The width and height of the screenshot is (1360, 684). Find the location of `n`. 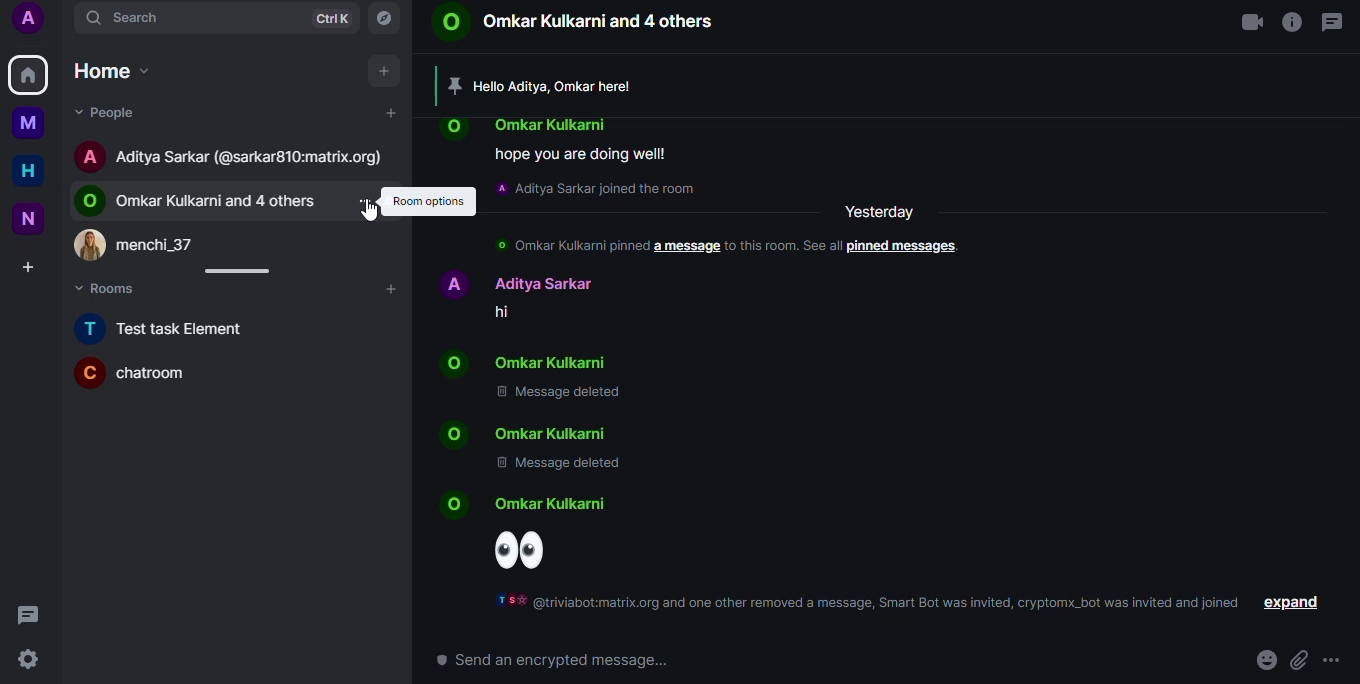

n is located at coordinates (35, 218).